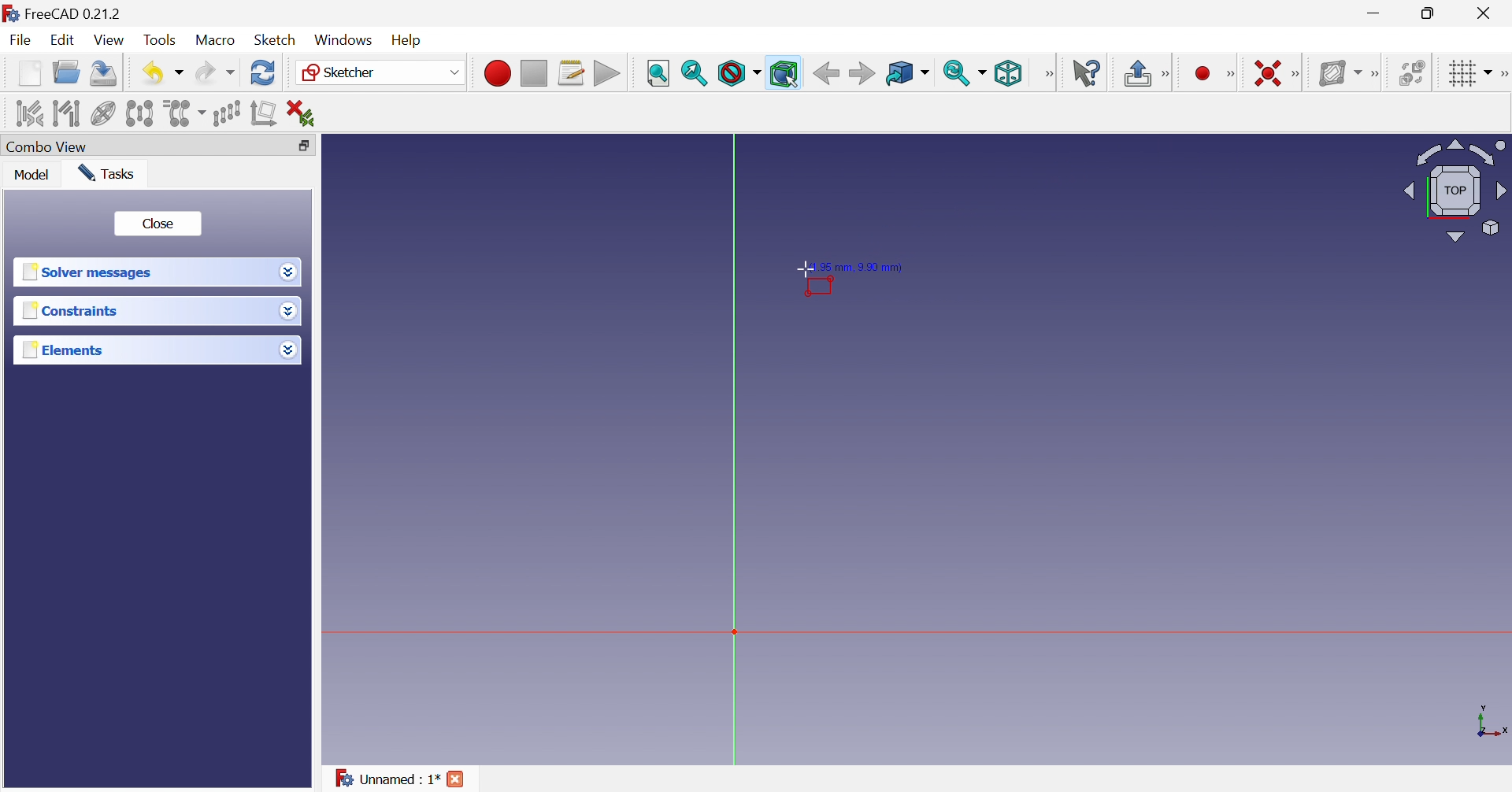 The image size is (1512, 792). I want to click on Restore down, so click(306, 147).